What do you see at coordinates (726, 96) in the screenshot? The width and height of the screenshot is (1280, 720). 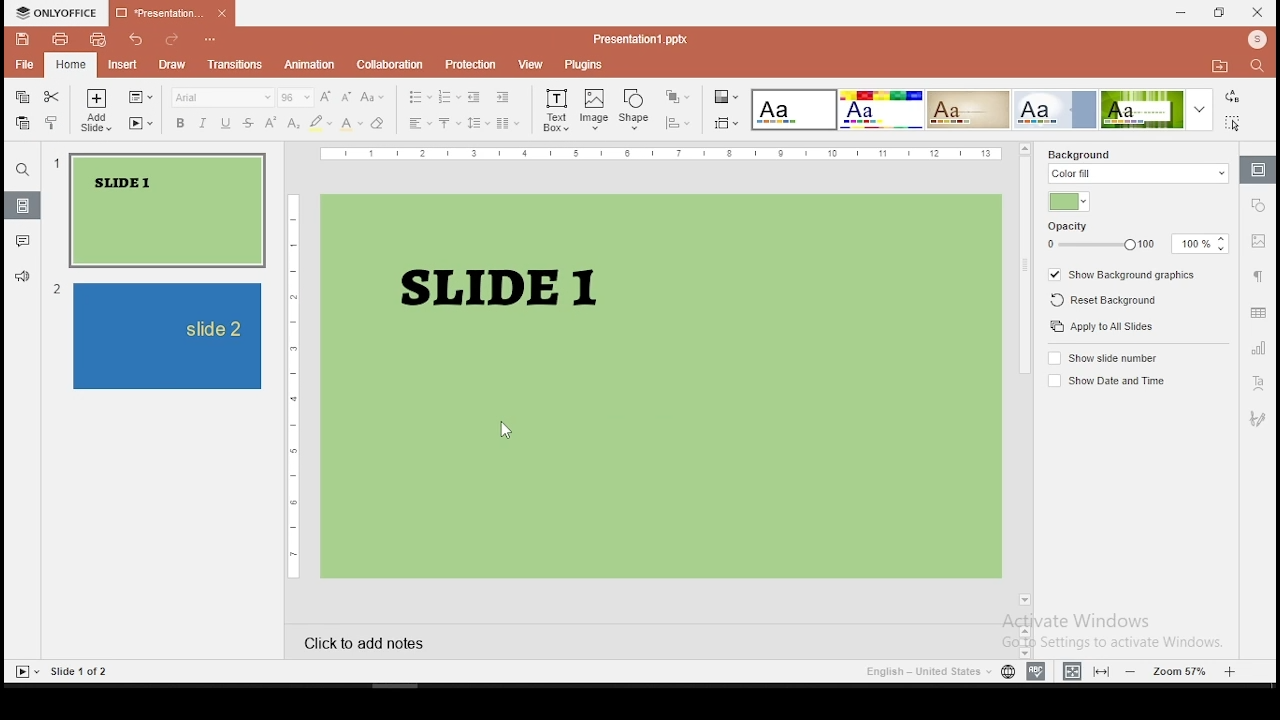 I see `change color theme` at bounding box center [726, 96].